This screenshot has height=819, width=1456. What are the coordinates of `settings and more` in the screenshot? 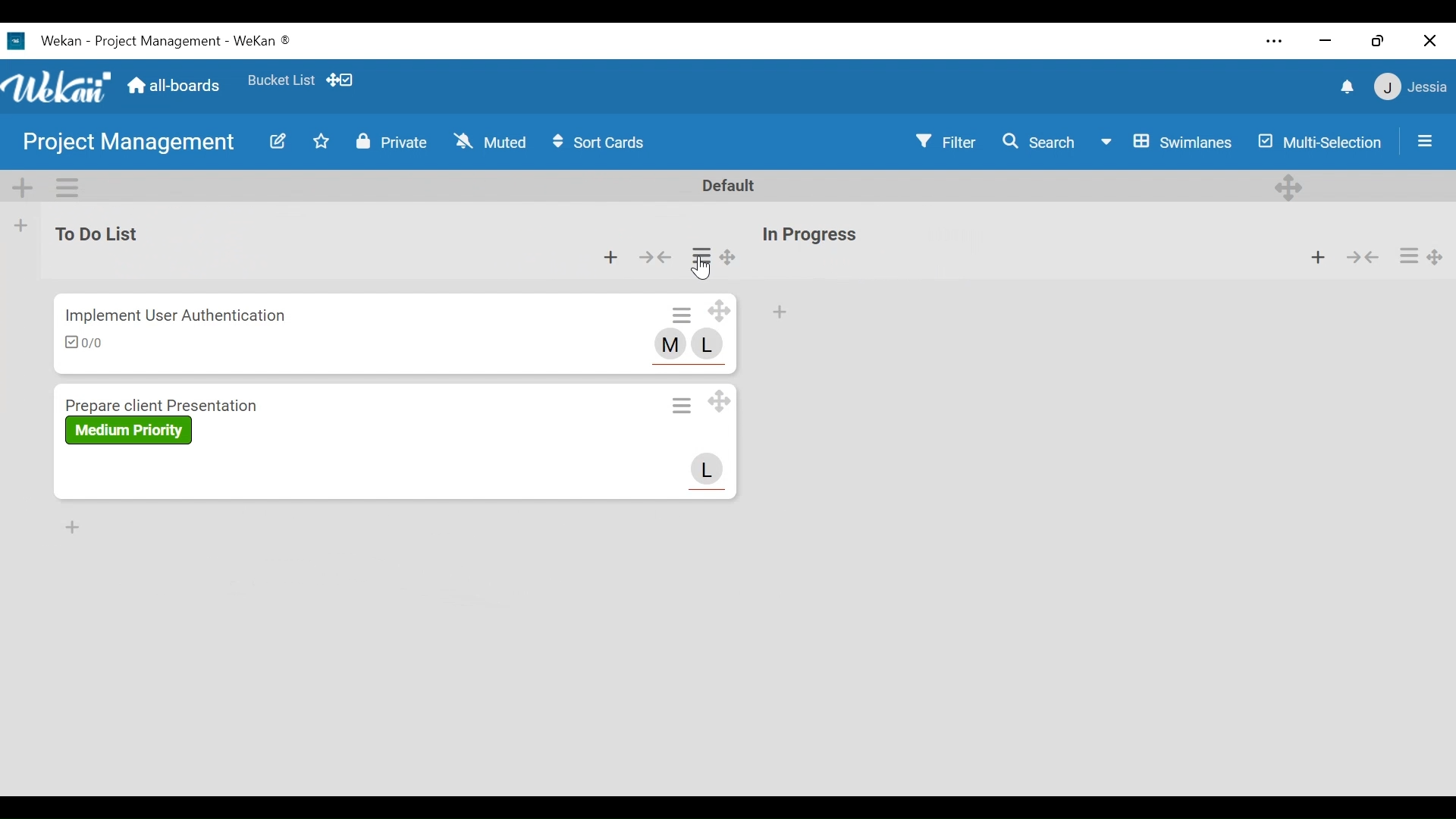 It's located at (1275, 41).